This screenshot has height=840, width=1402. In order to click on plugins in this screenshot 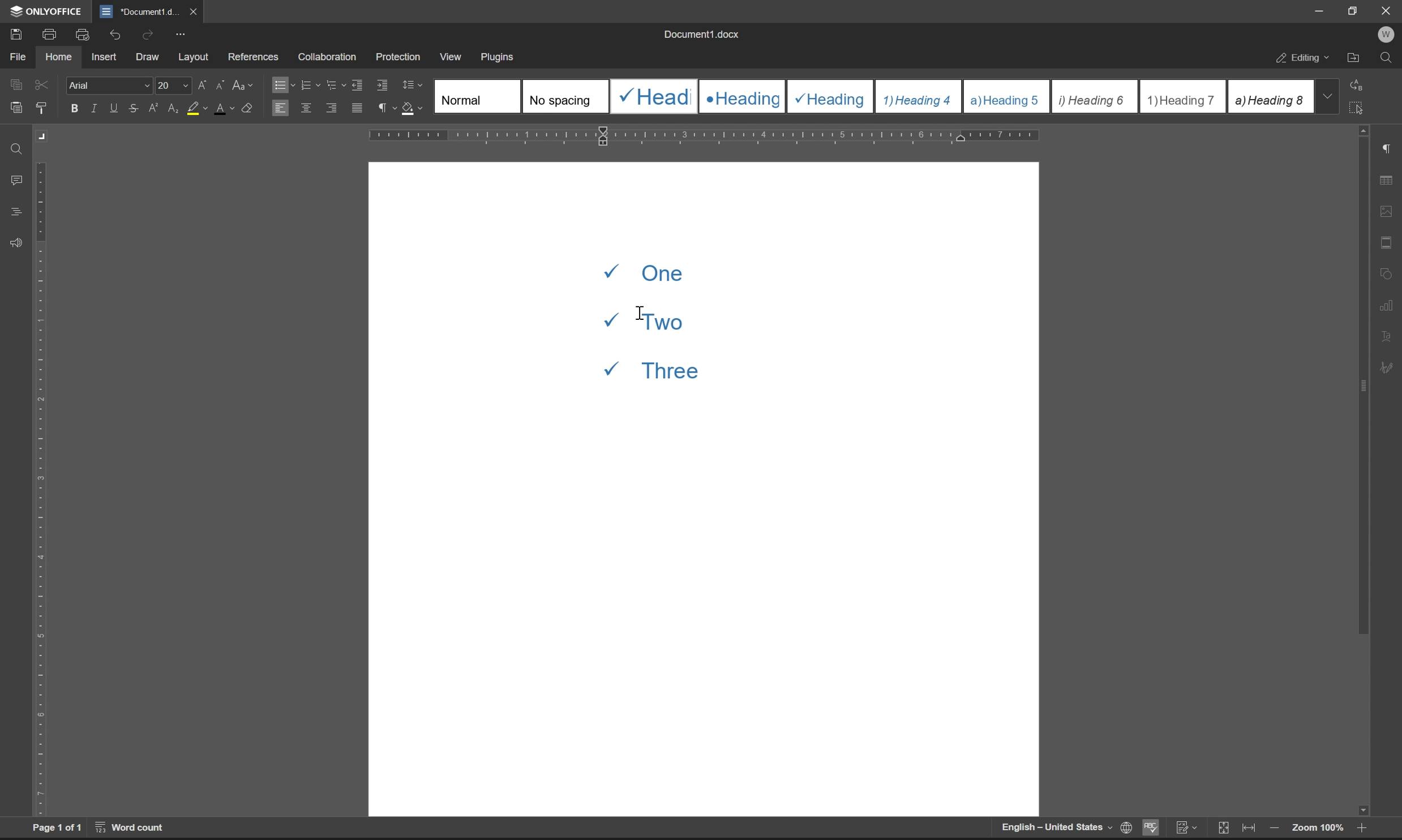, I will do `click(499, 58)`.